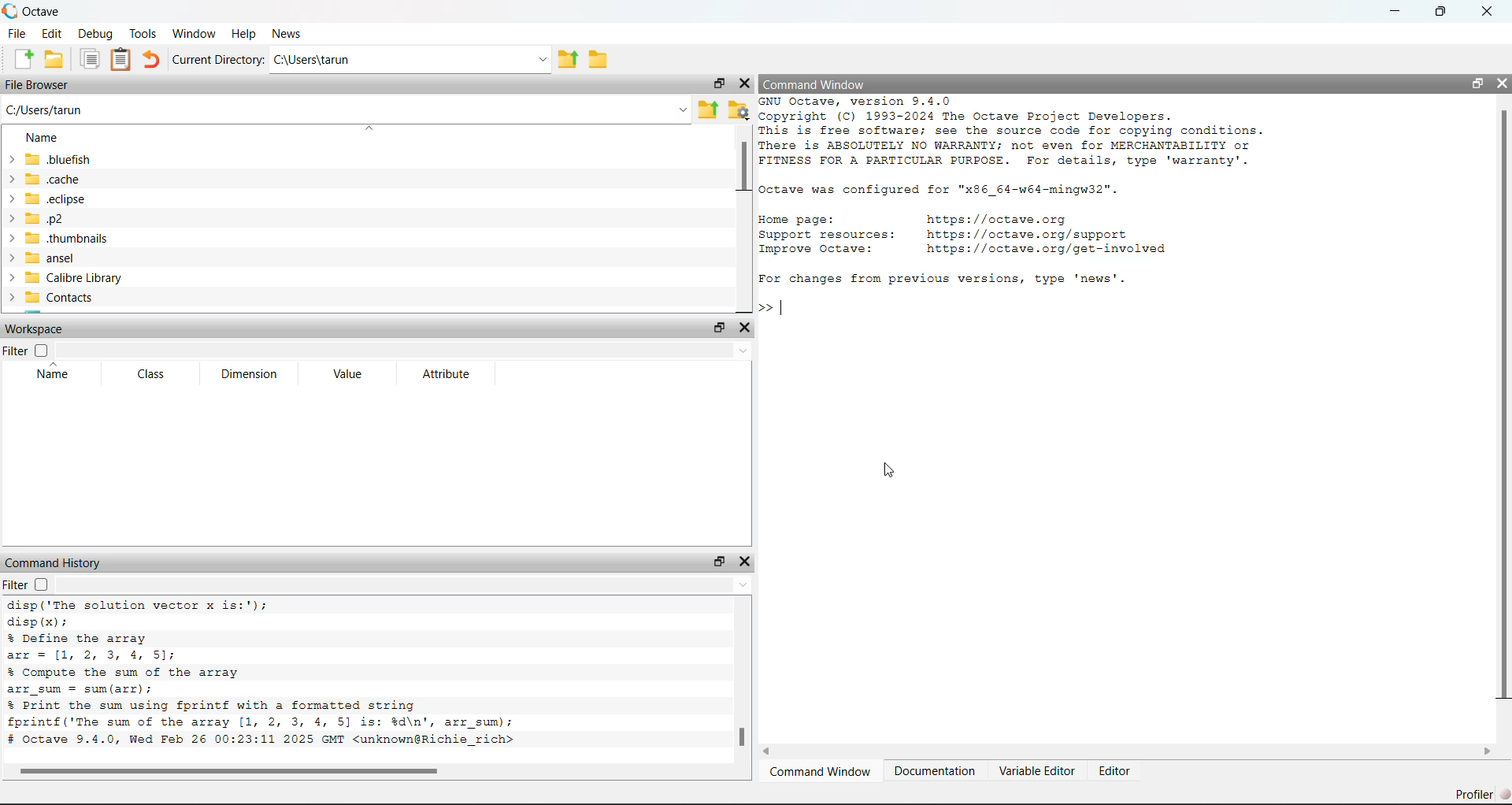  What do you see at coordinates (888, 472) in the screenshot?
I see `Cursor` at bounding box center [888, 472].